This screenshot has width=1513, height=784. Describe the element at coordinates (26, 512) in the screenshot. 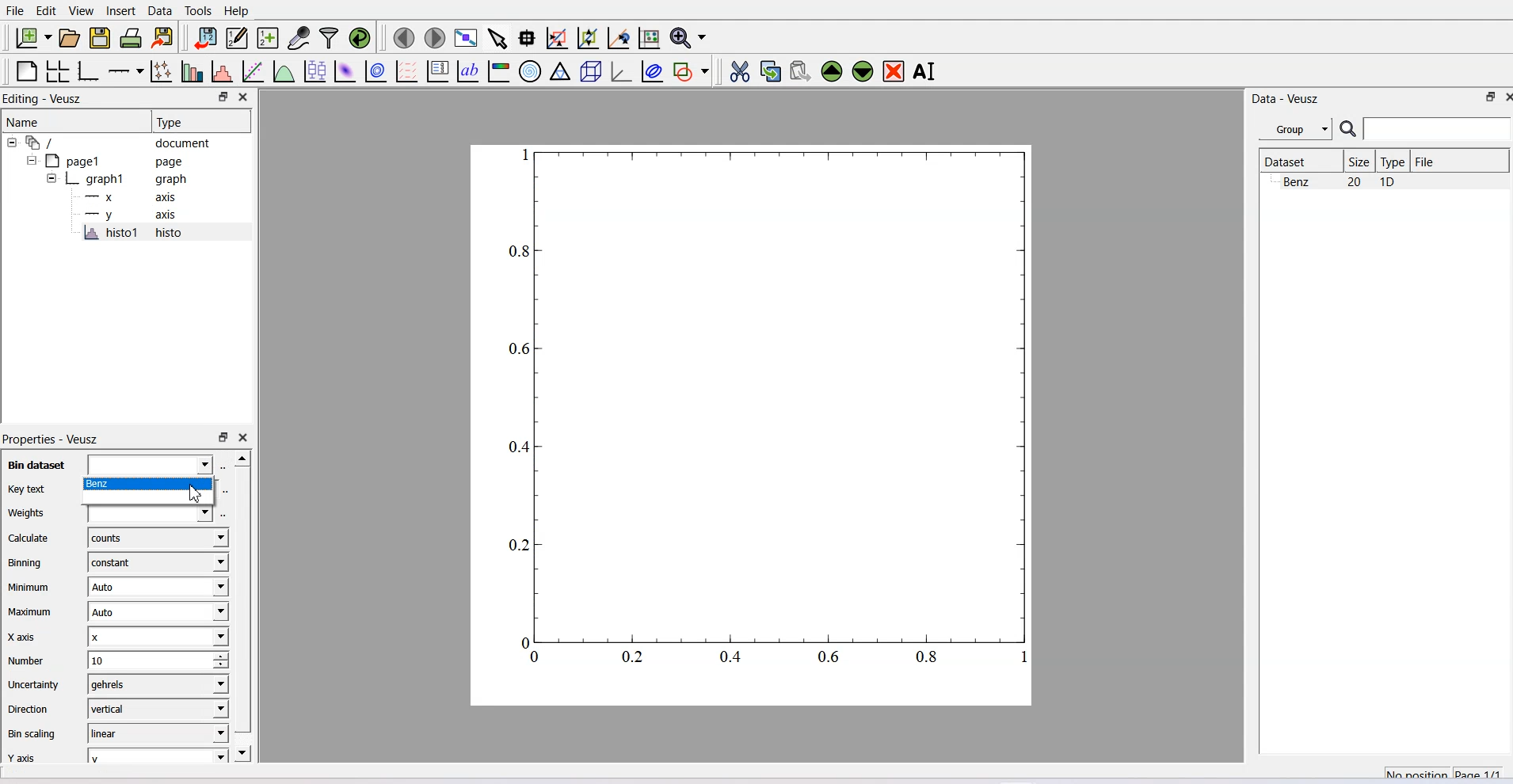

I see `Weights` at that location.